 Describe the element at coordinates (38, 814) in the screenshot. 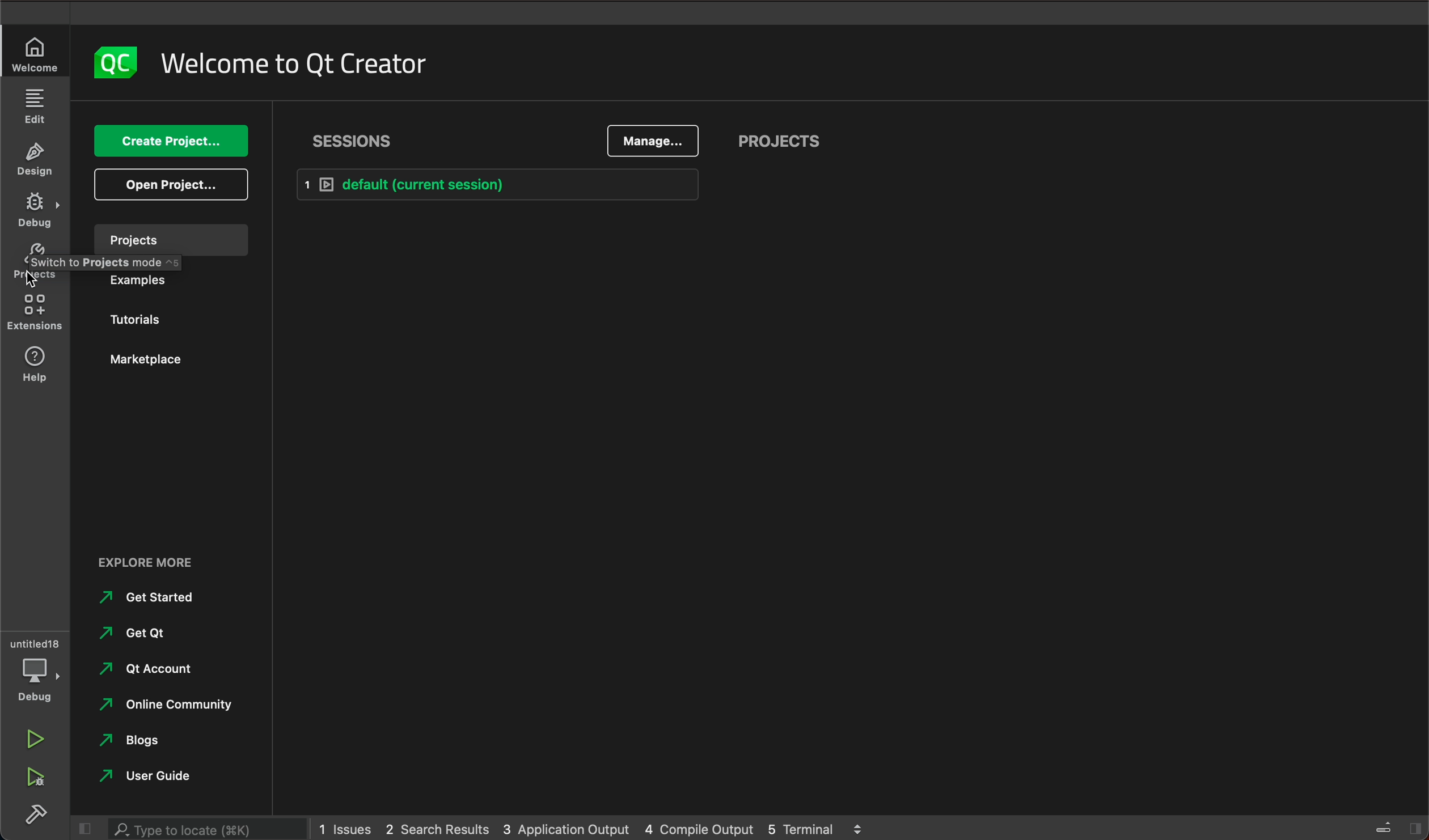

I see `build` at that location.